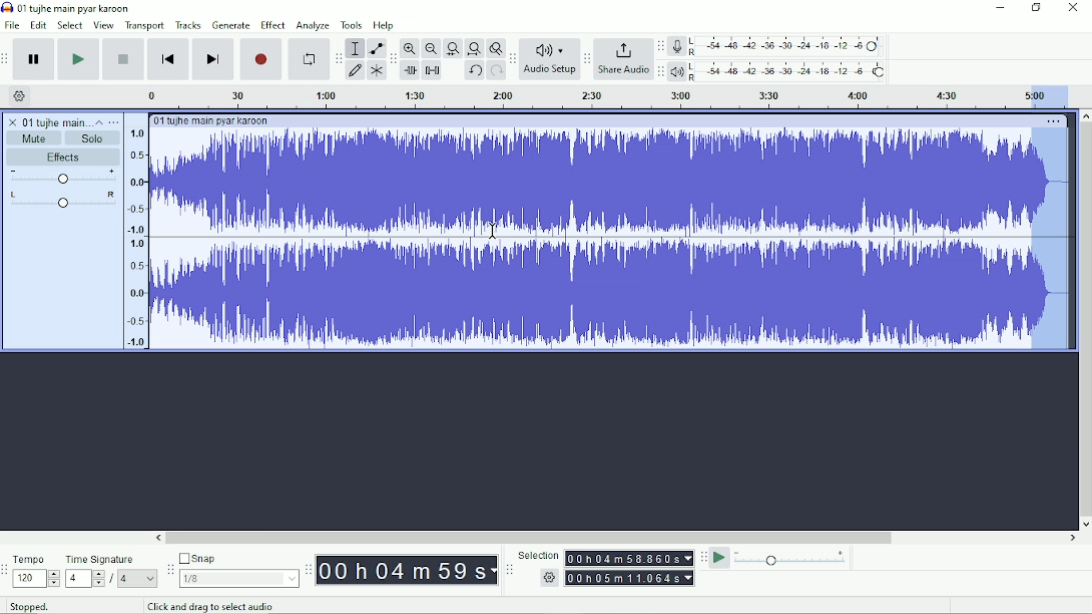 This screenshot has height=614, width=1092. Describe the element at coordinates (376, 70) in the screenshot. I see `Multi-tool` at that location.